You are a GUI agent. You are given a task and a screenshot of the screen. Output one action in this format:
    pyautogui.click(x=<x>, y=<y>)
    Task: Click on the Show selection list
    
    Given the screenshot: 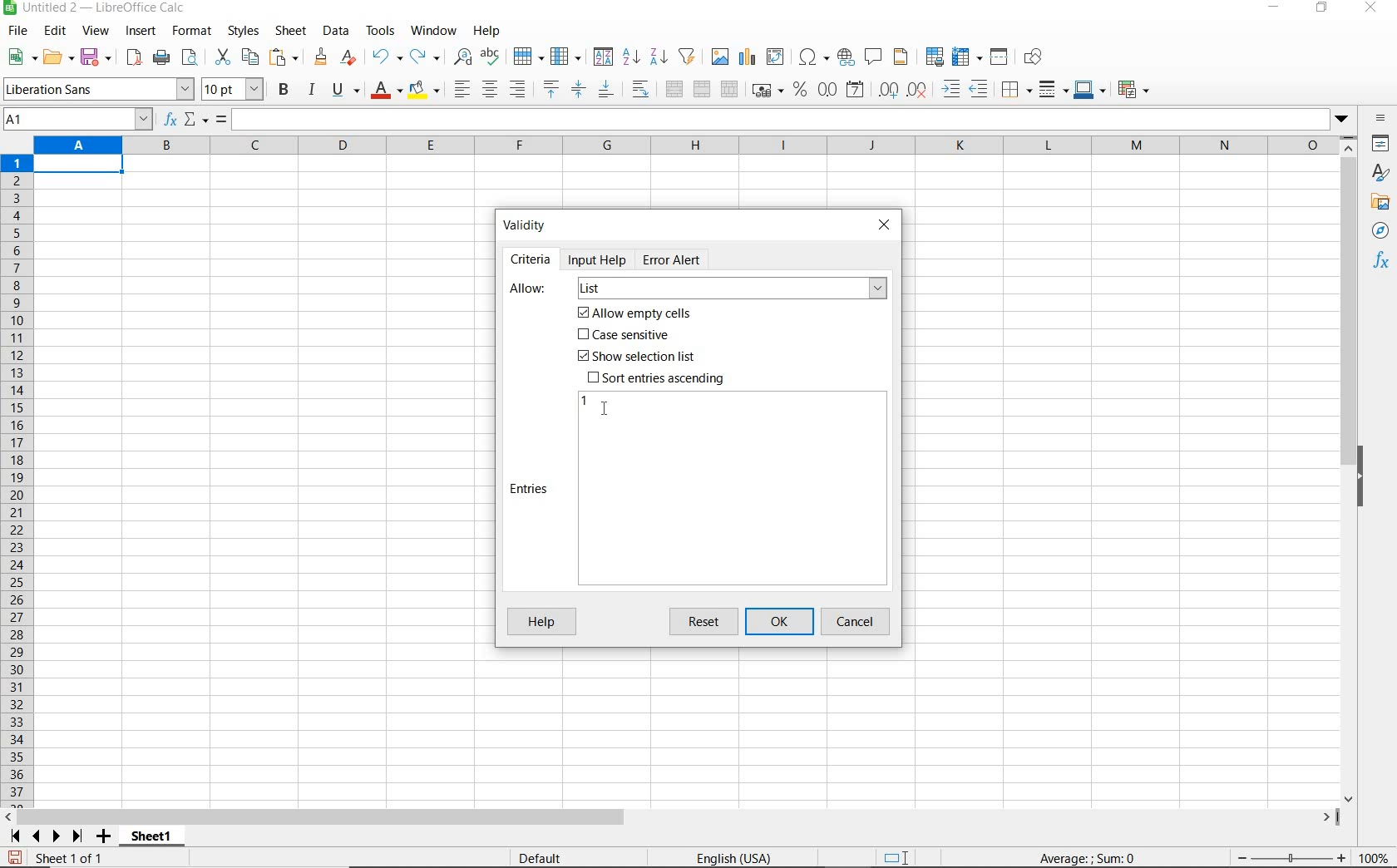 What is the action you would take?
    pyautogui.click(x=634, y=357)
    